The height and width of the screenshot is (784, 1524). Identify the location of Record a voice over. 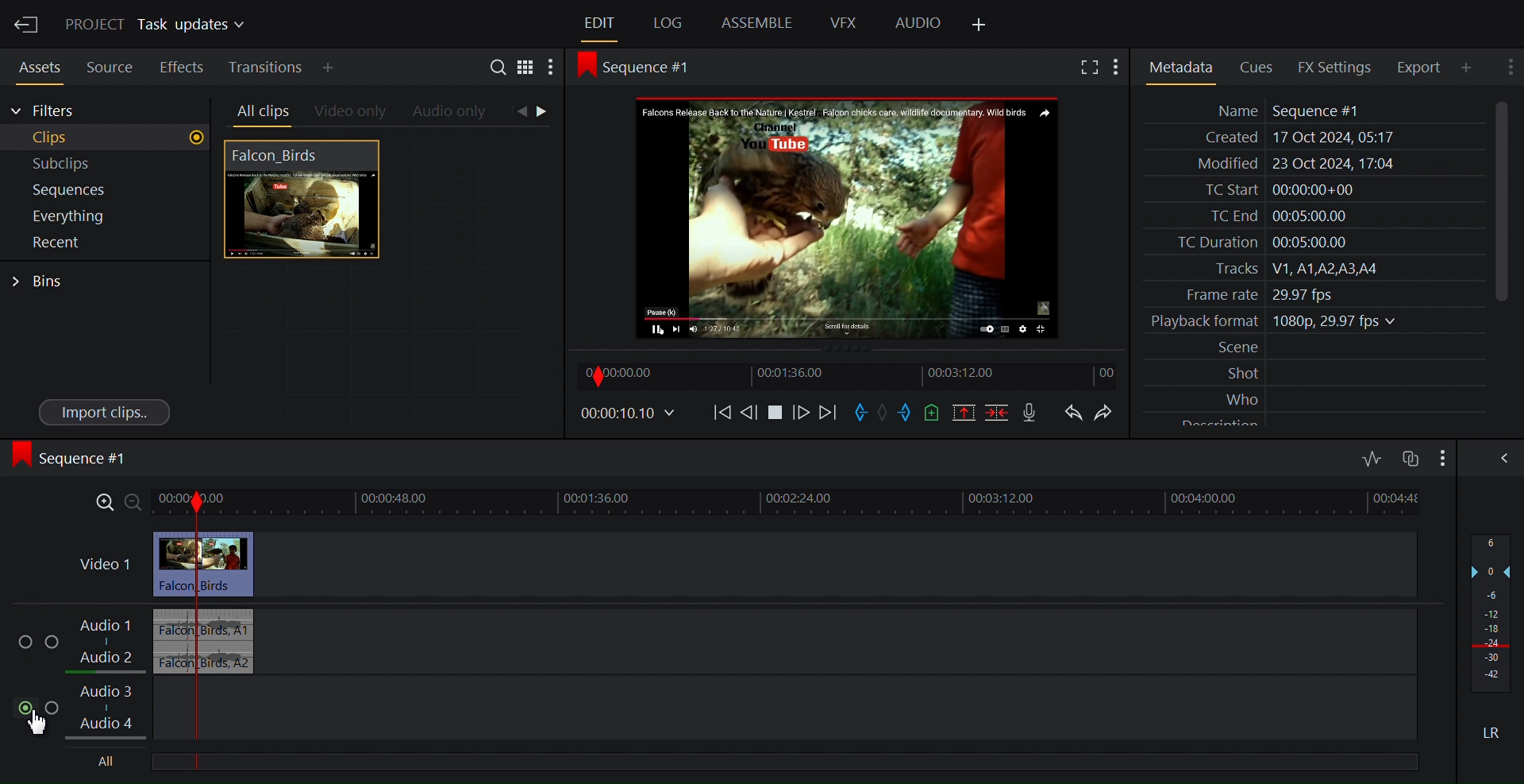
(1031, 413).